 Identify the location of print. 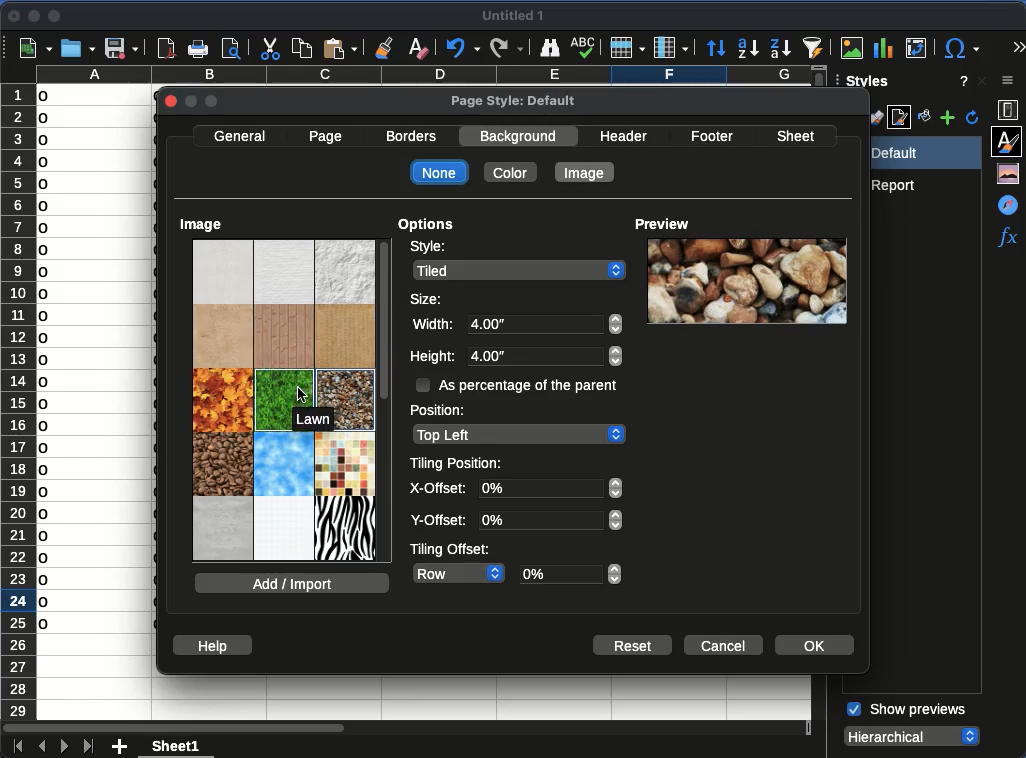
(198, 49).